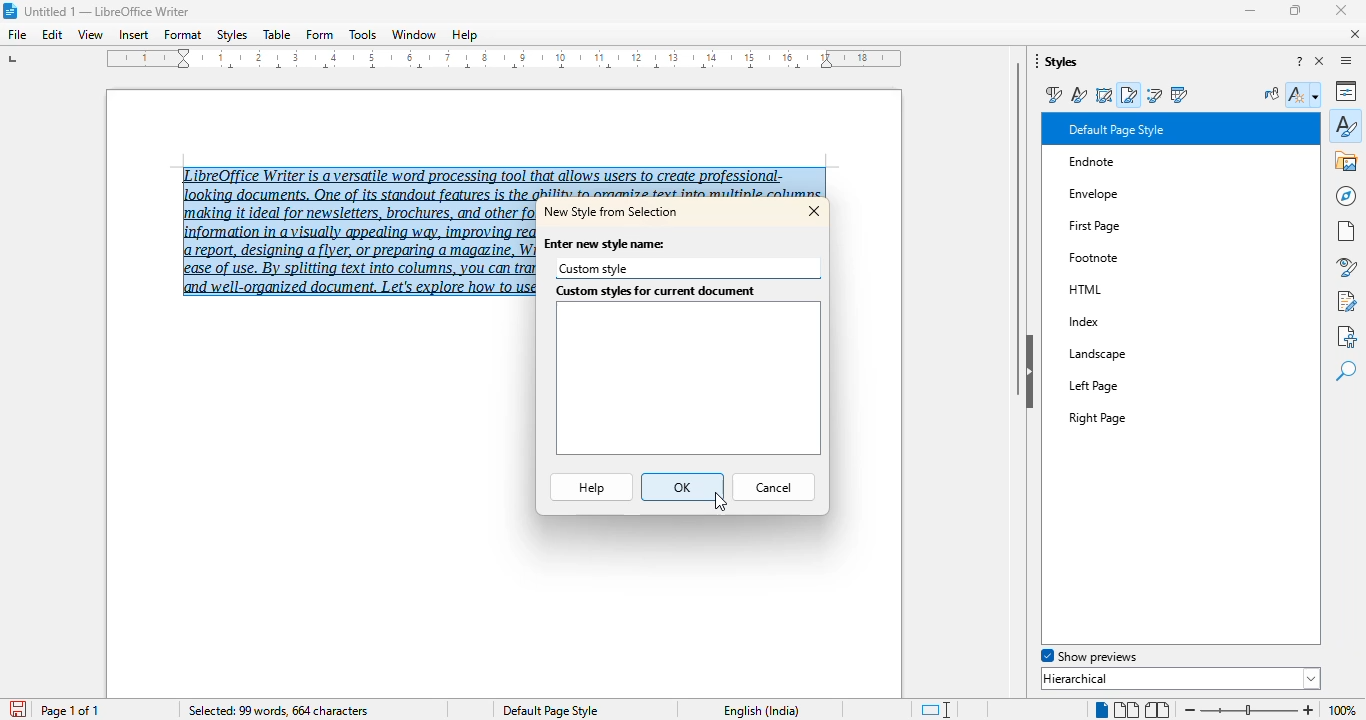 The width and height of the screenshot is (1366, 720). Describe the element at coordinates (232, 35) in the screenshot. I see `styles` at that location.